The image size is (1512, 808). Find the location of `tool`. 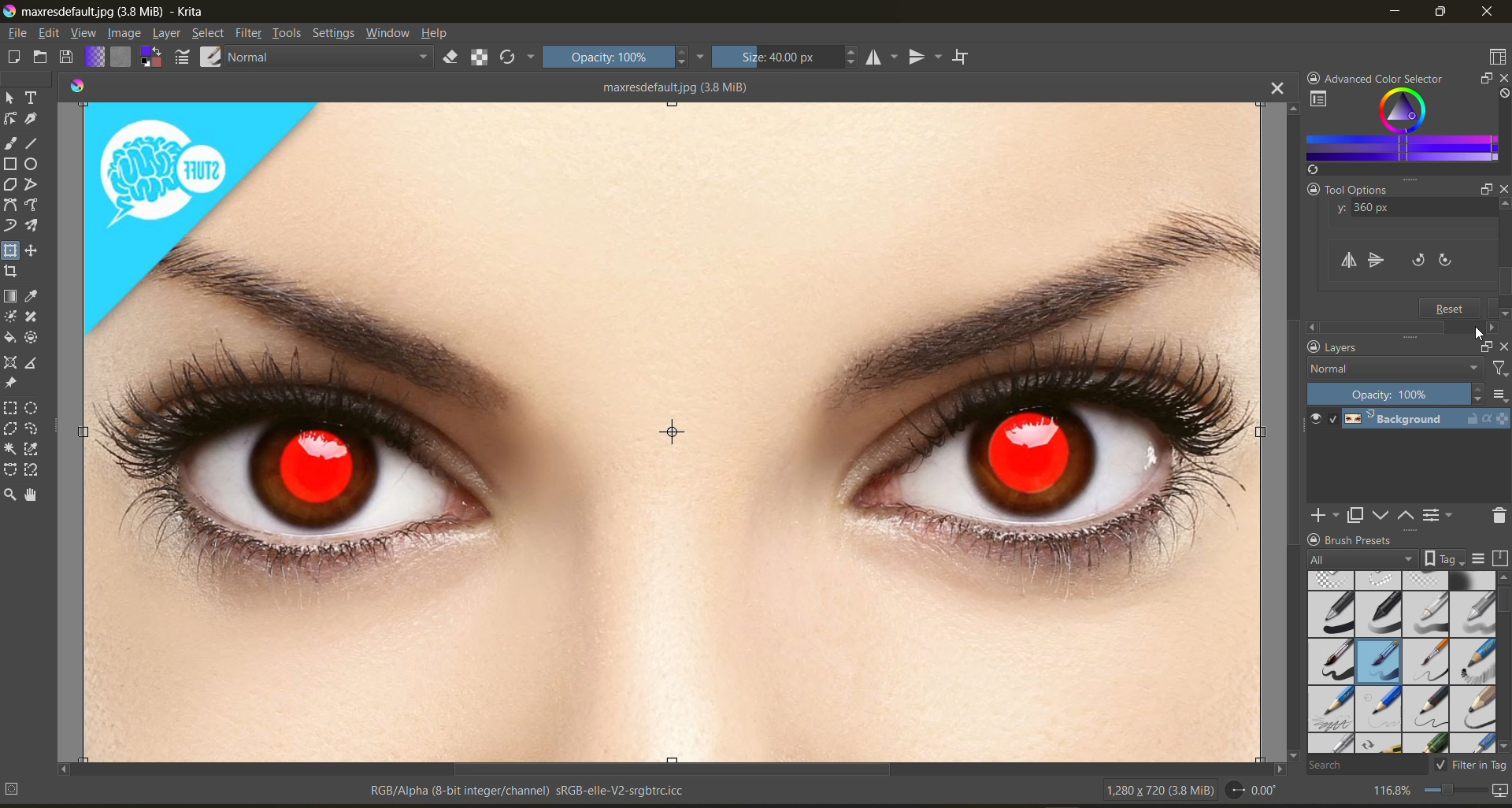

tool is located at coordinates (10, 119).